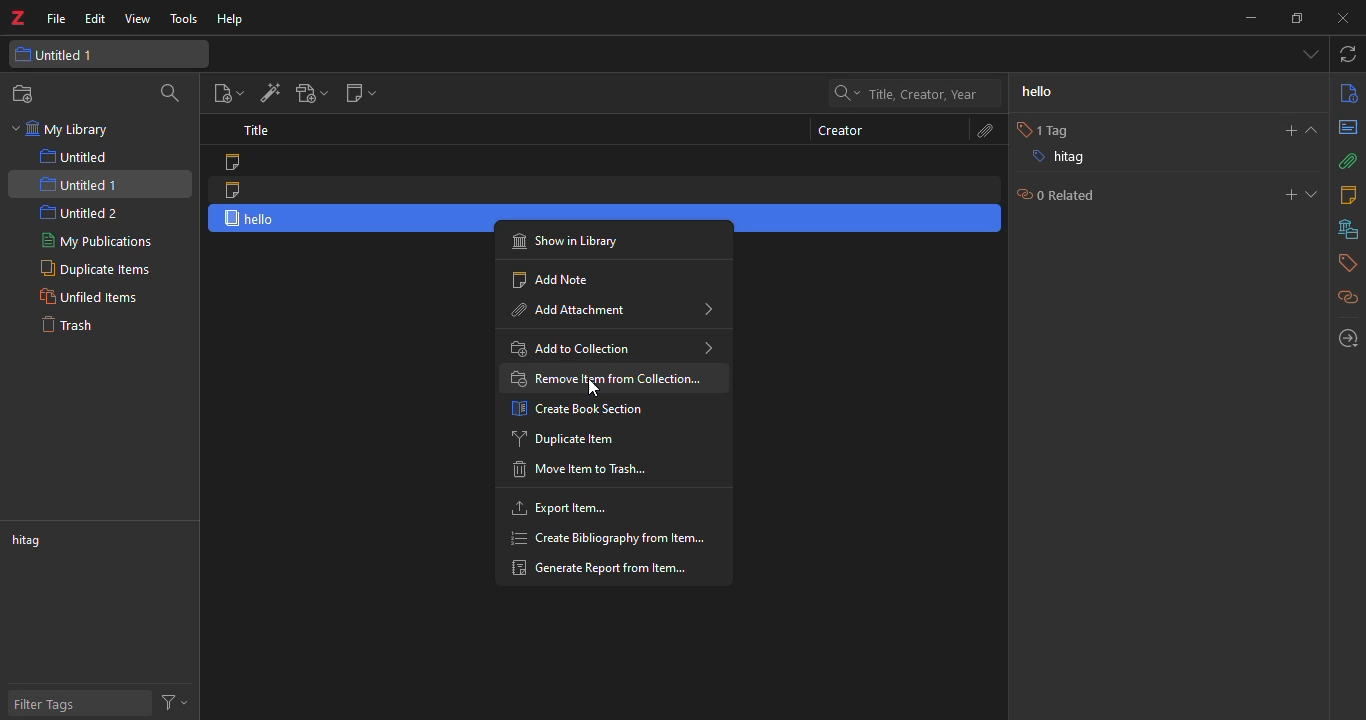  I want to click on my publications, so click(99, 243).